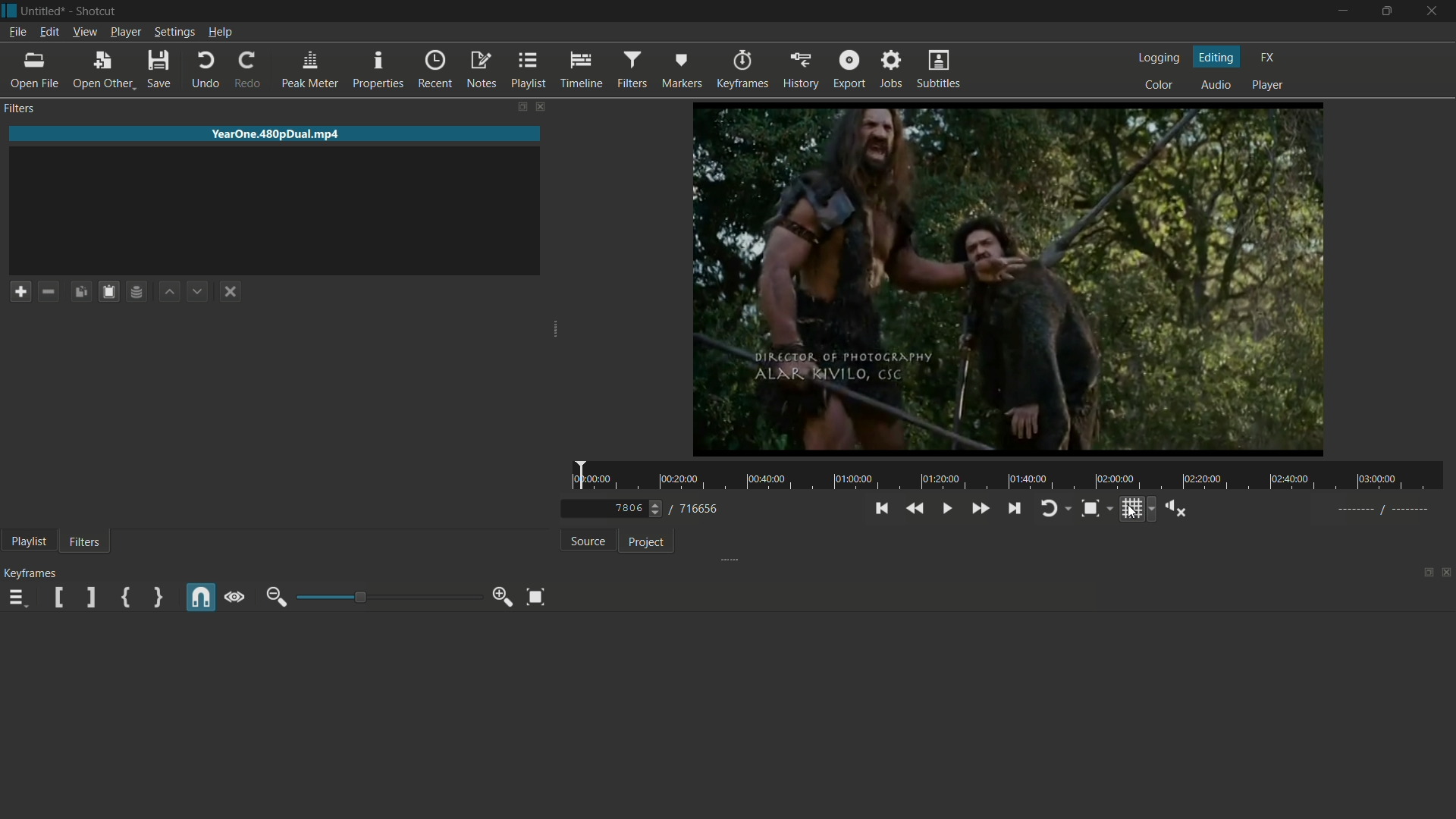 This screenshot has width=1456, height=819. Describe the element at coordinates (236, 597) in the screenshot. I see `scrub while dragging` at that location.